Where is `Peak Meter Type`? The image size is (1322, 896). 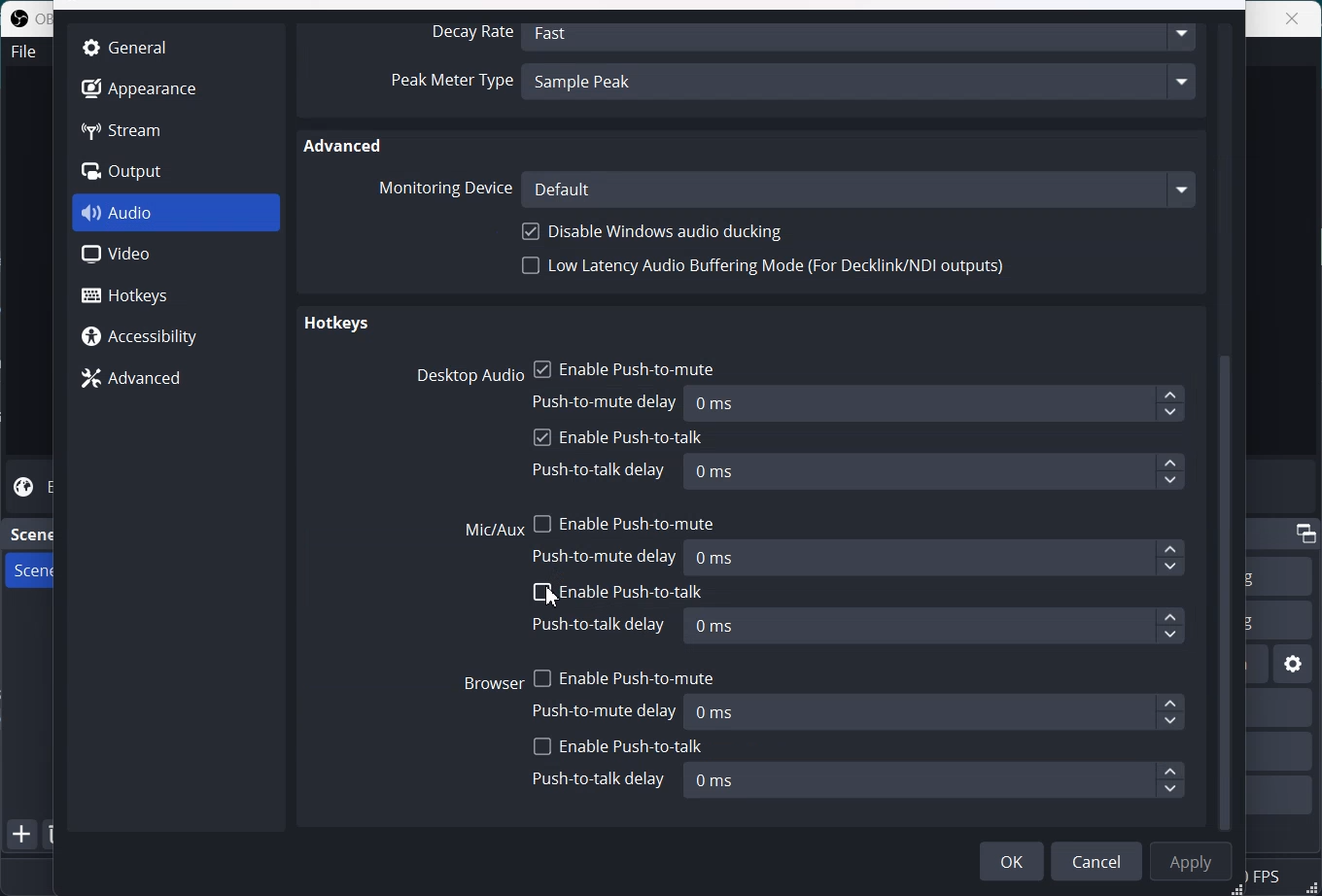
Peak Meter Type is located at coordinates (451, 84).